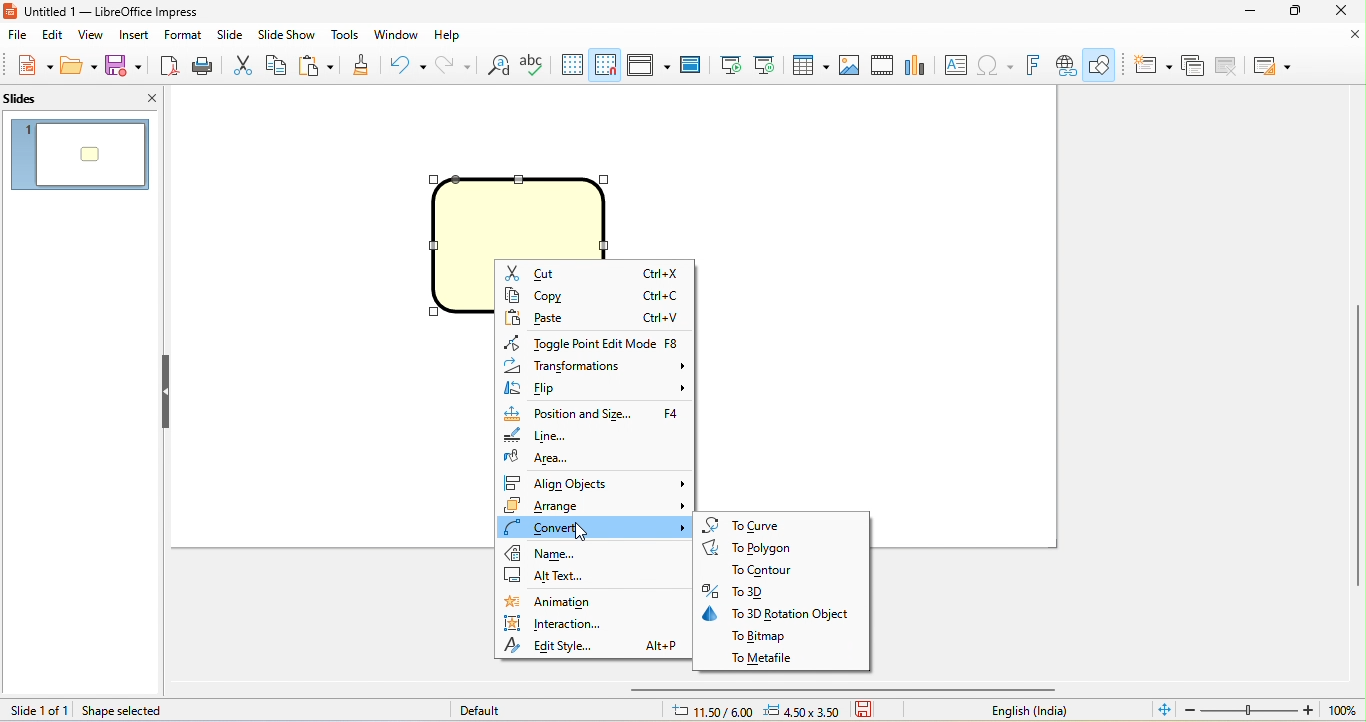  Describe the element at coordinates (804, 711) in the screenshot. I see `4.50x3.50` at that location.